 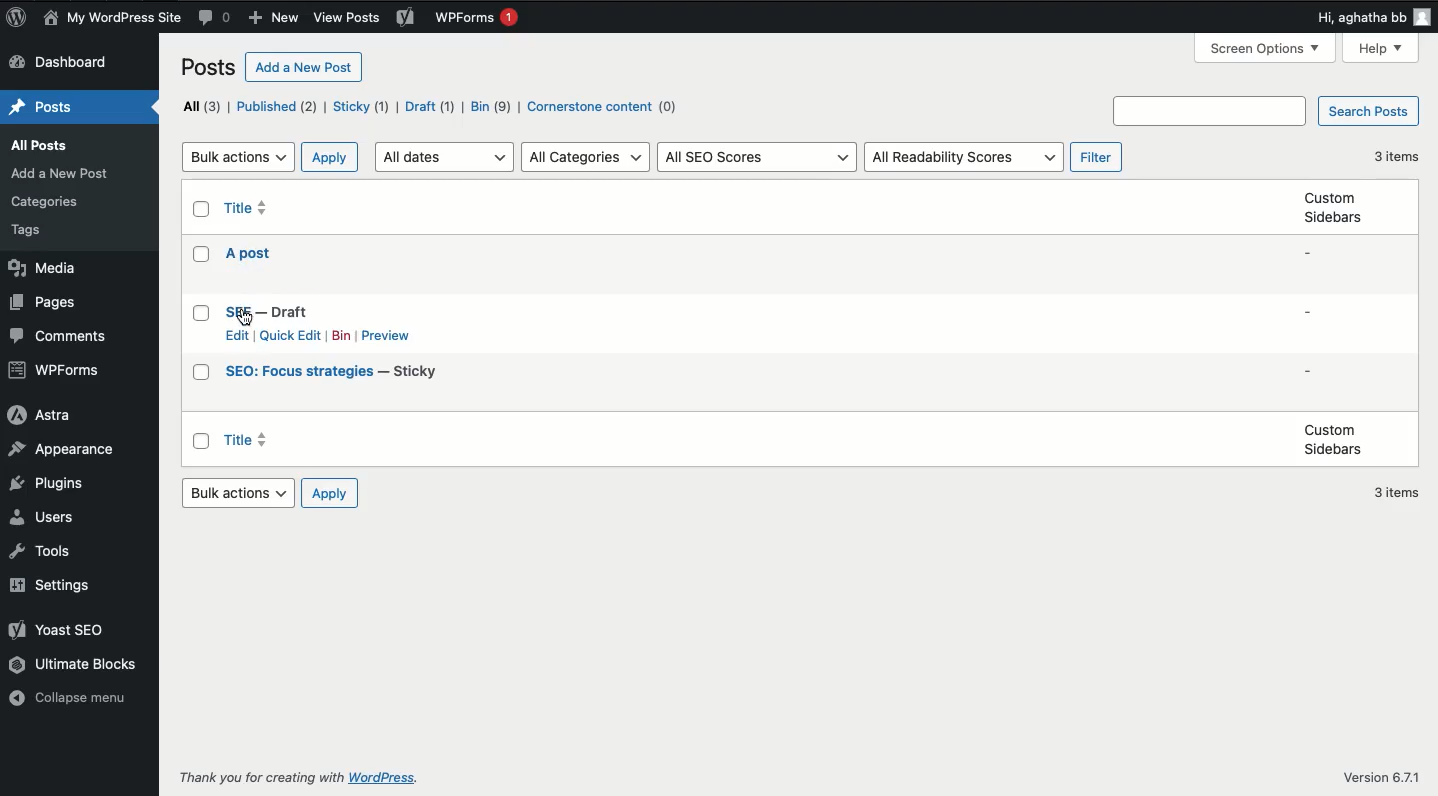 I want to click on Tools, so click(x=52, y=551).